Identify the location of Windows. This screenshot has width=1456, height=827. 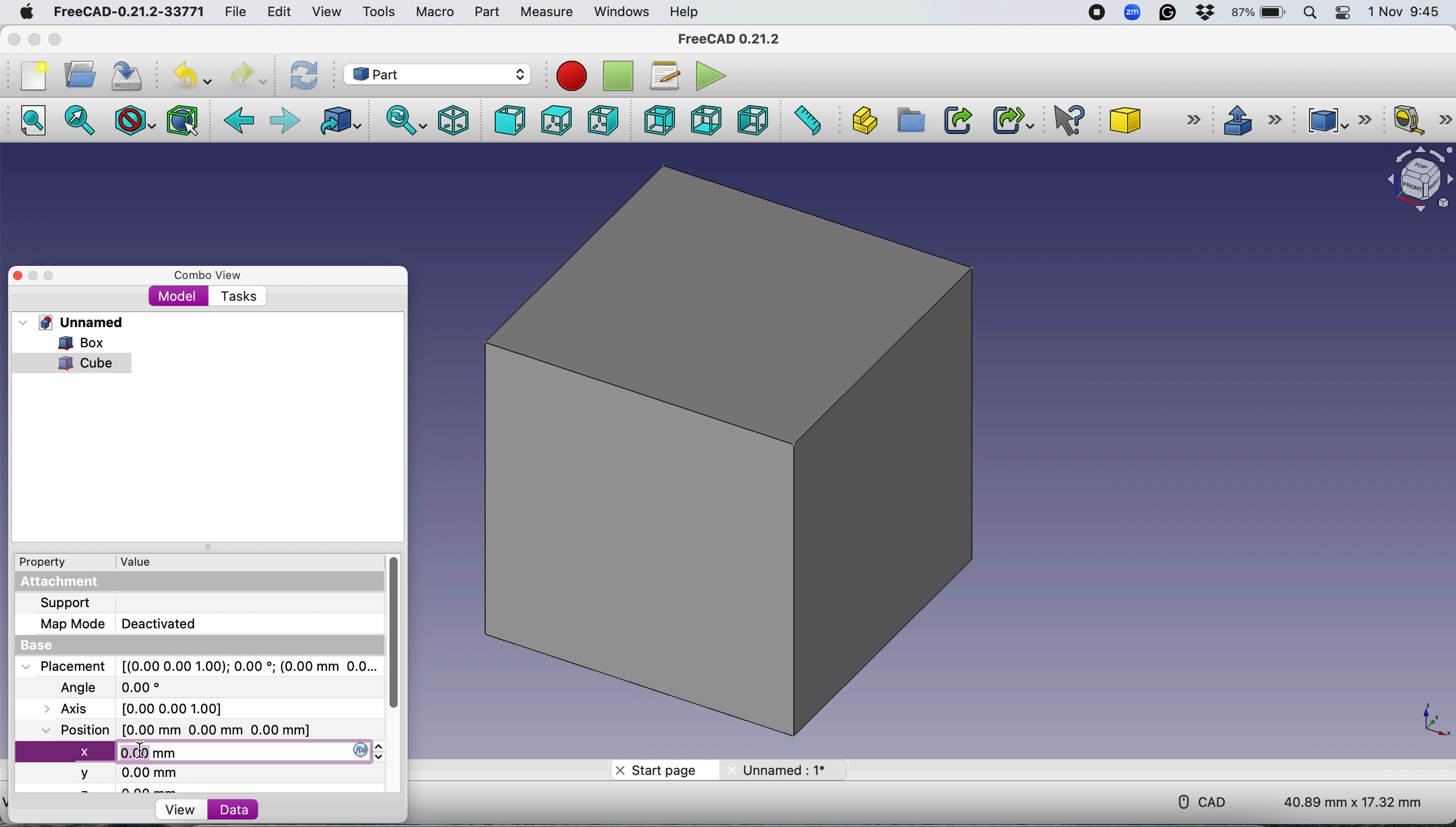
(622, 12).